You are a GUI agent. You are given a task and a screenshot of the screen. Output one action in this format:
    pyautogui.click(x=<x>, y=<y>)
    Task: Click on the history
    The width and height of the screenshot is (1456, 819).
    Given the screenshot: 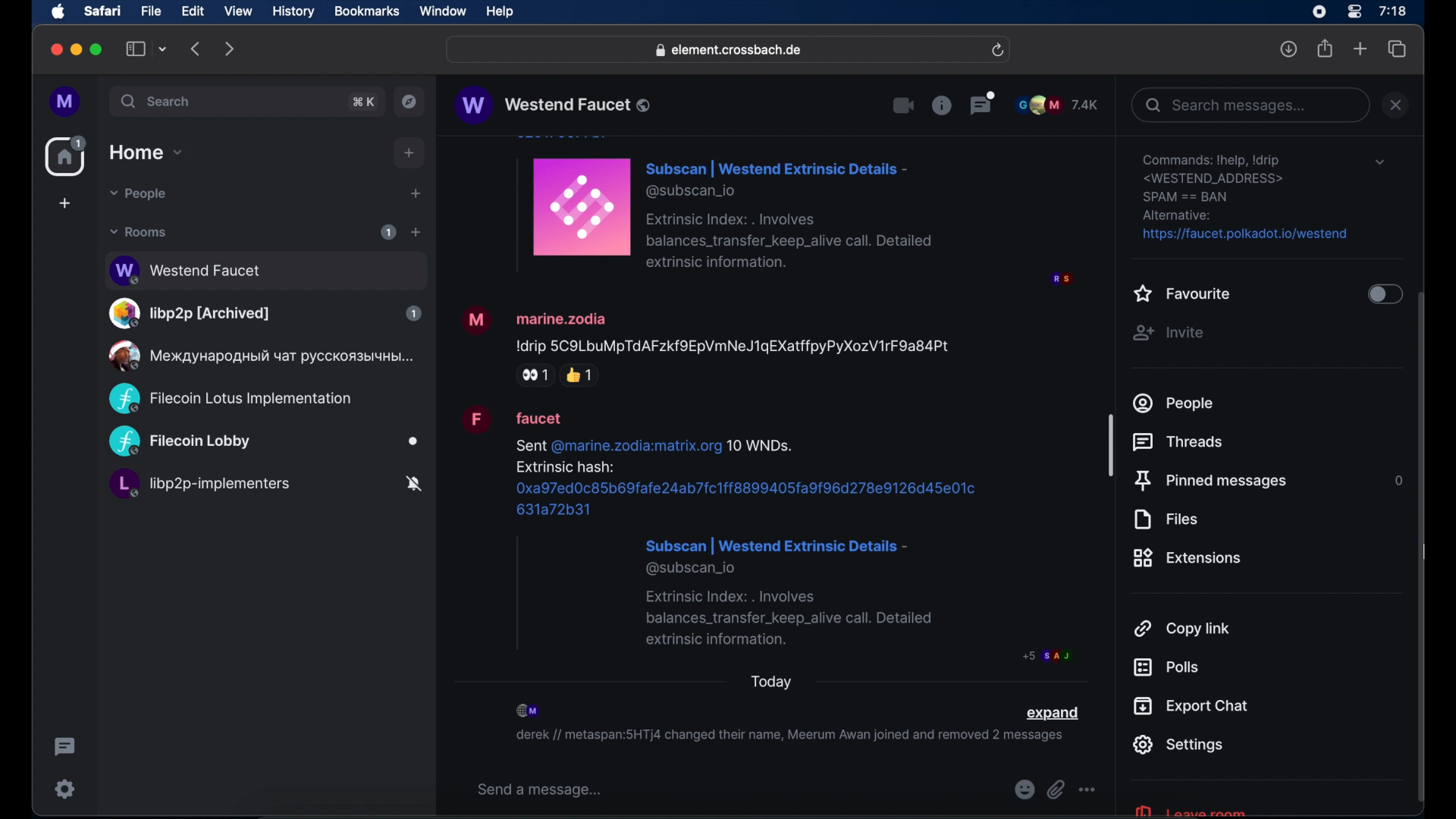 What is the action you would take?
    pyautogui.click(x=293, y=12)
    